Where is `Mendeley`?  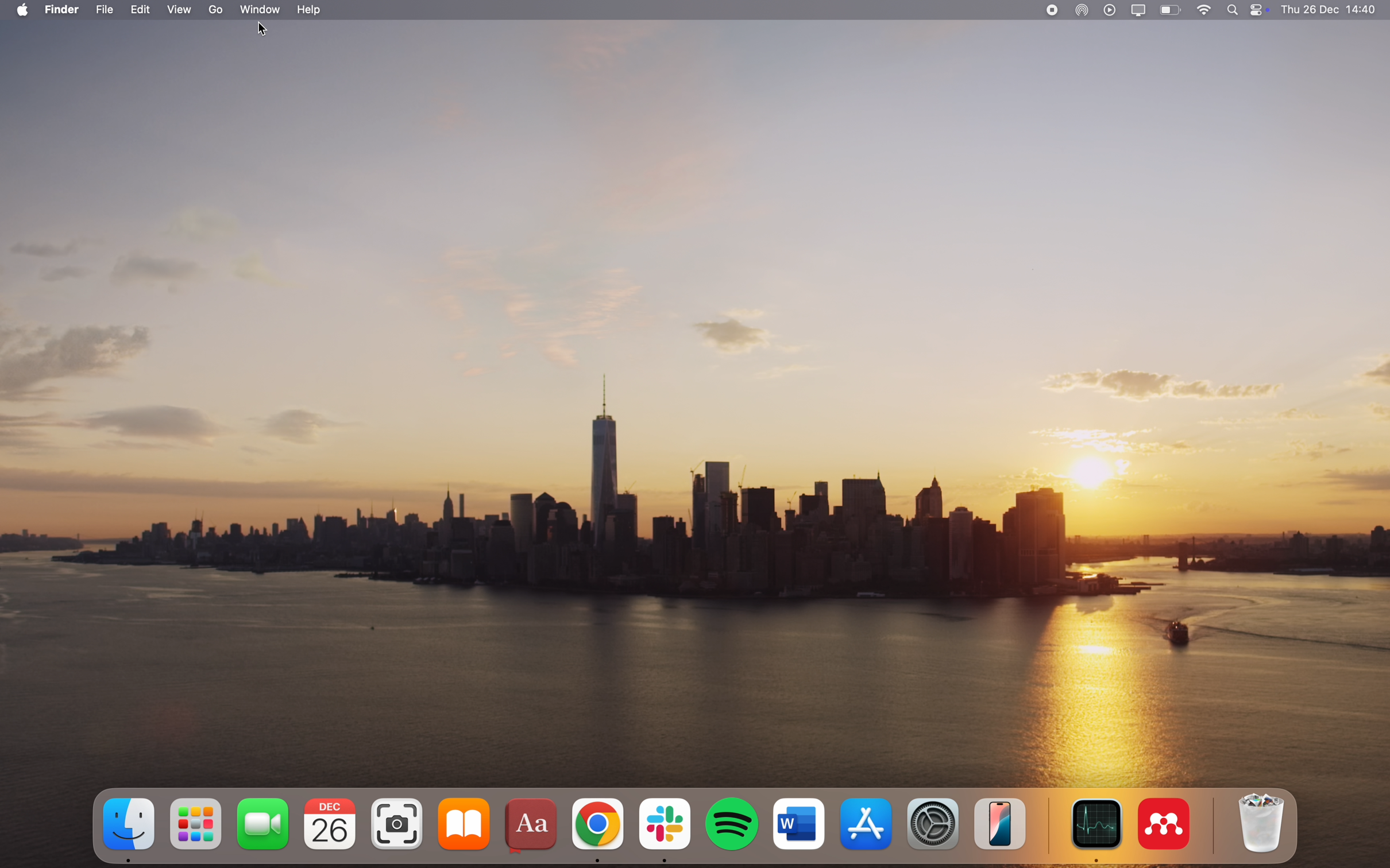
Mendeley is located at coordinates (1165, 823).